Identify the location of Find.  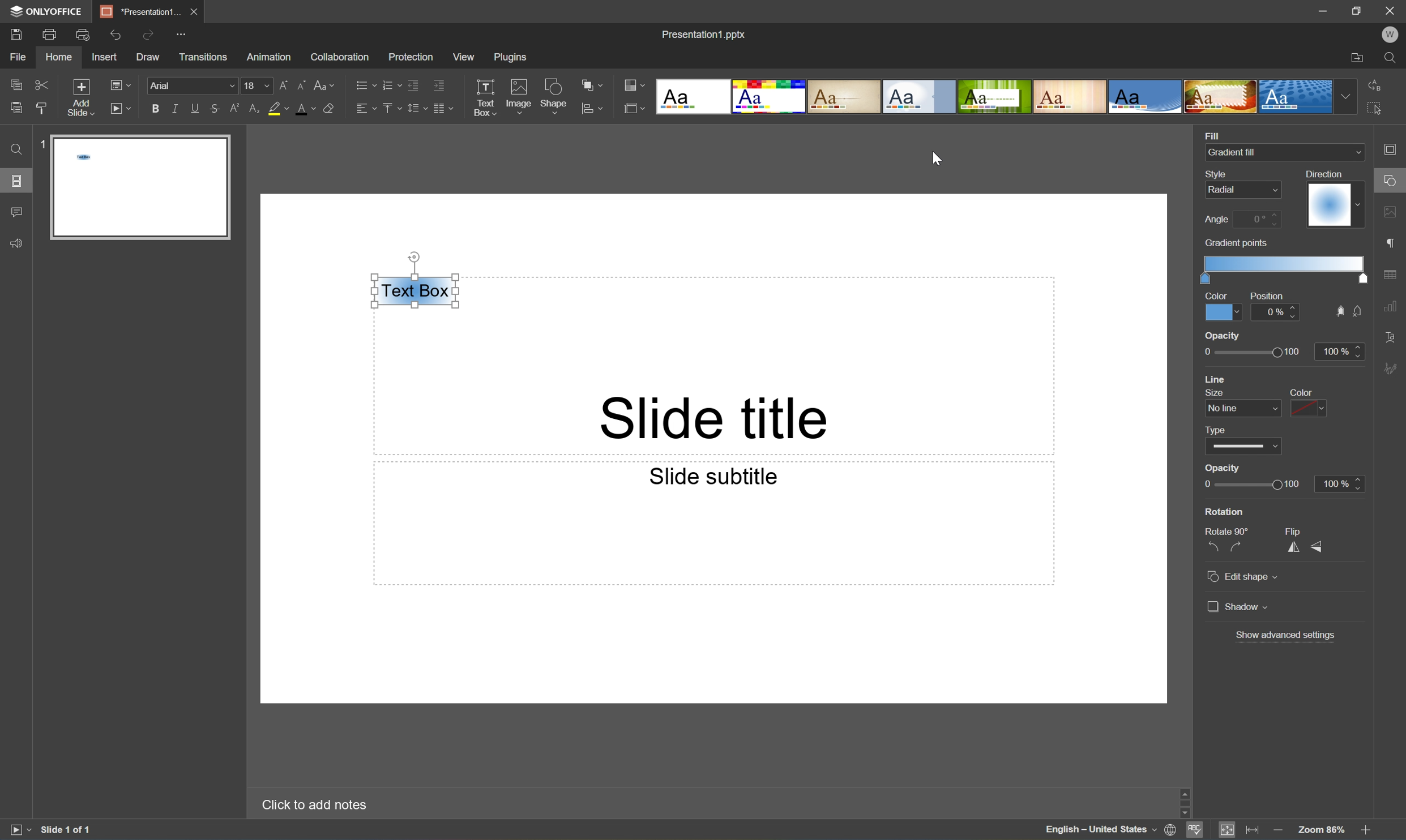
(1393, 58).